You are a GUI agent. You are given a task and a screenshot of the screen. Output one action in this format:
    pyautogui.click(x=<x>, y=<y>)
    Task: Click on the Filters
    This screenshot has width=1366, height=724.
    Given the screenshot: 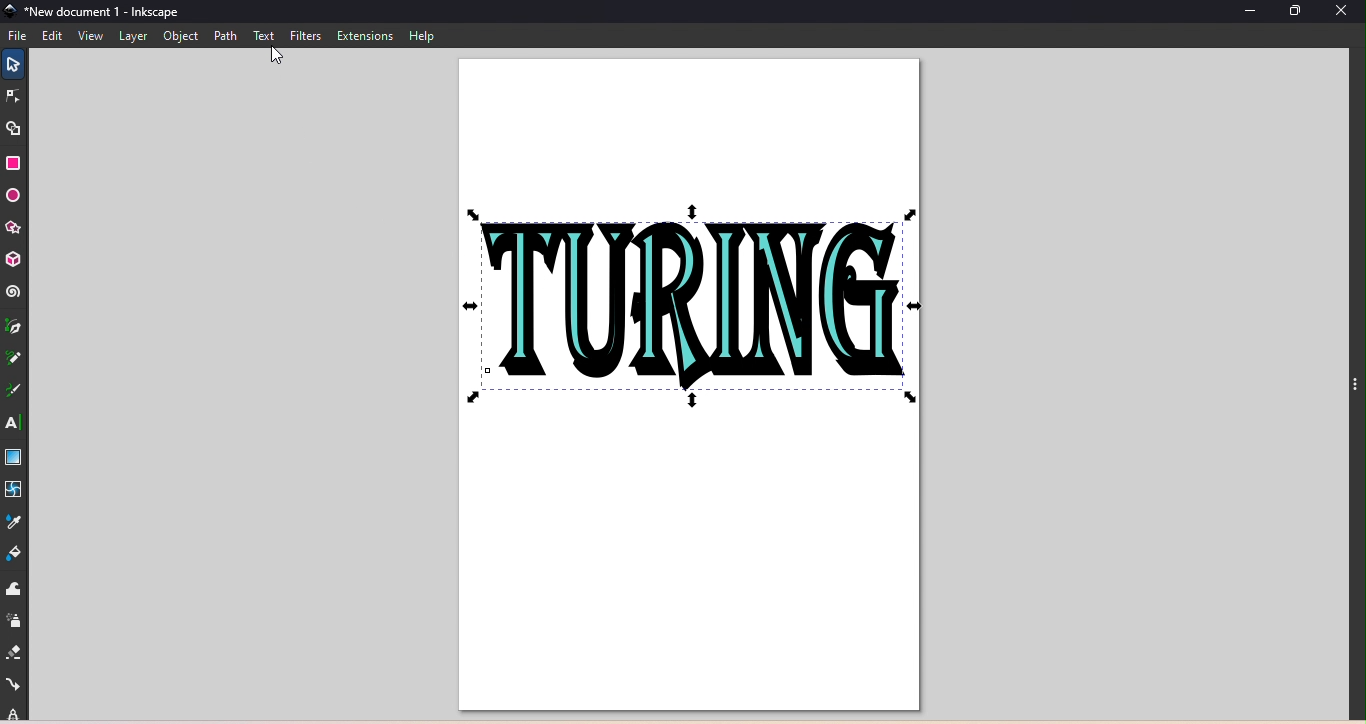 What is the action you would take?
    pyautogui.click(x=304, y=34)
    